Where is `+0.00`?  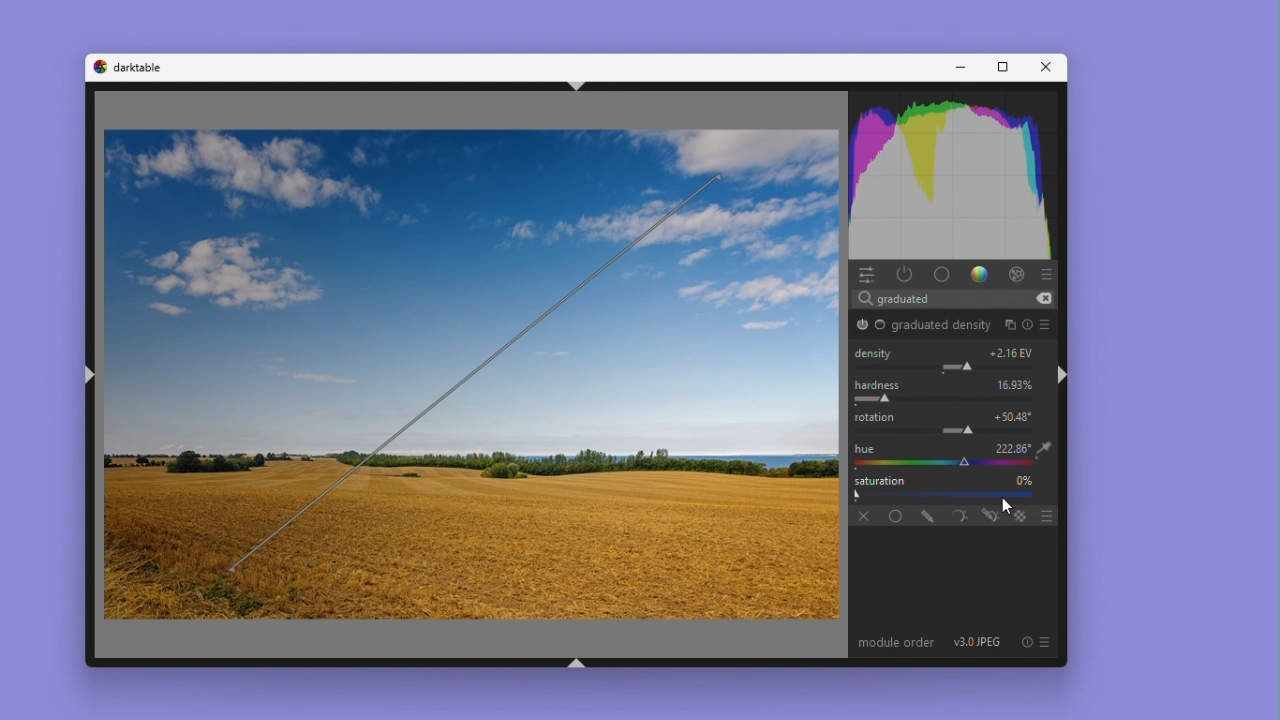 +0.00 is located at coordinates (1015, 448).